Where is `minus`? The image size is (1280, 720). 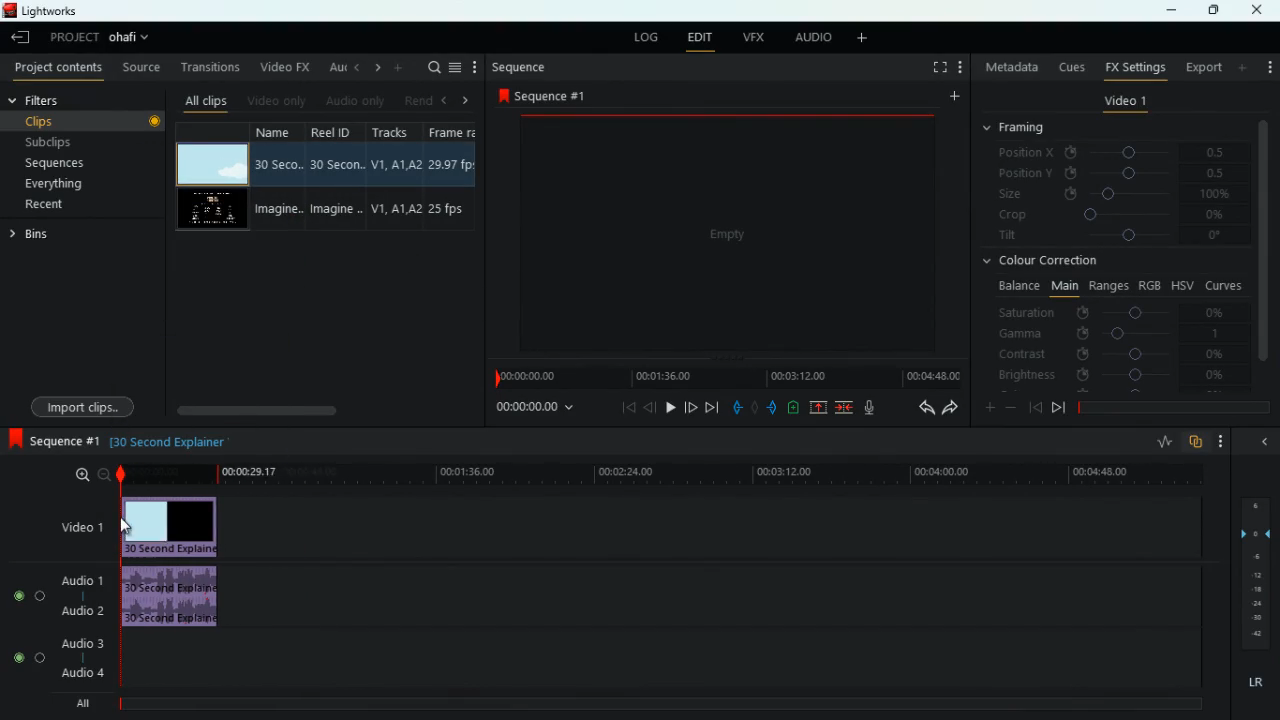
minus is located at coordinates (1011, 407).